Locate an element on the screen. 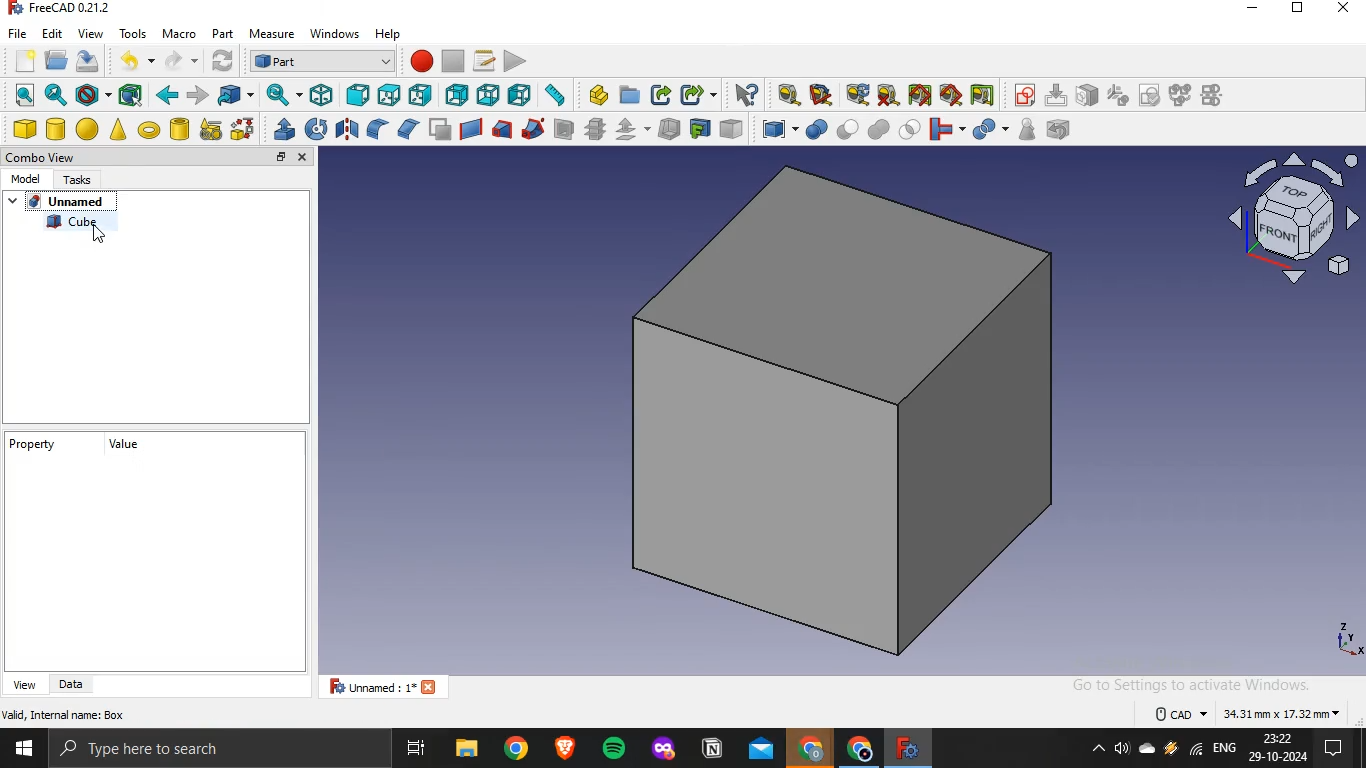 The image size is (1366, 768). measure angular is located at coordinates (822, 95).